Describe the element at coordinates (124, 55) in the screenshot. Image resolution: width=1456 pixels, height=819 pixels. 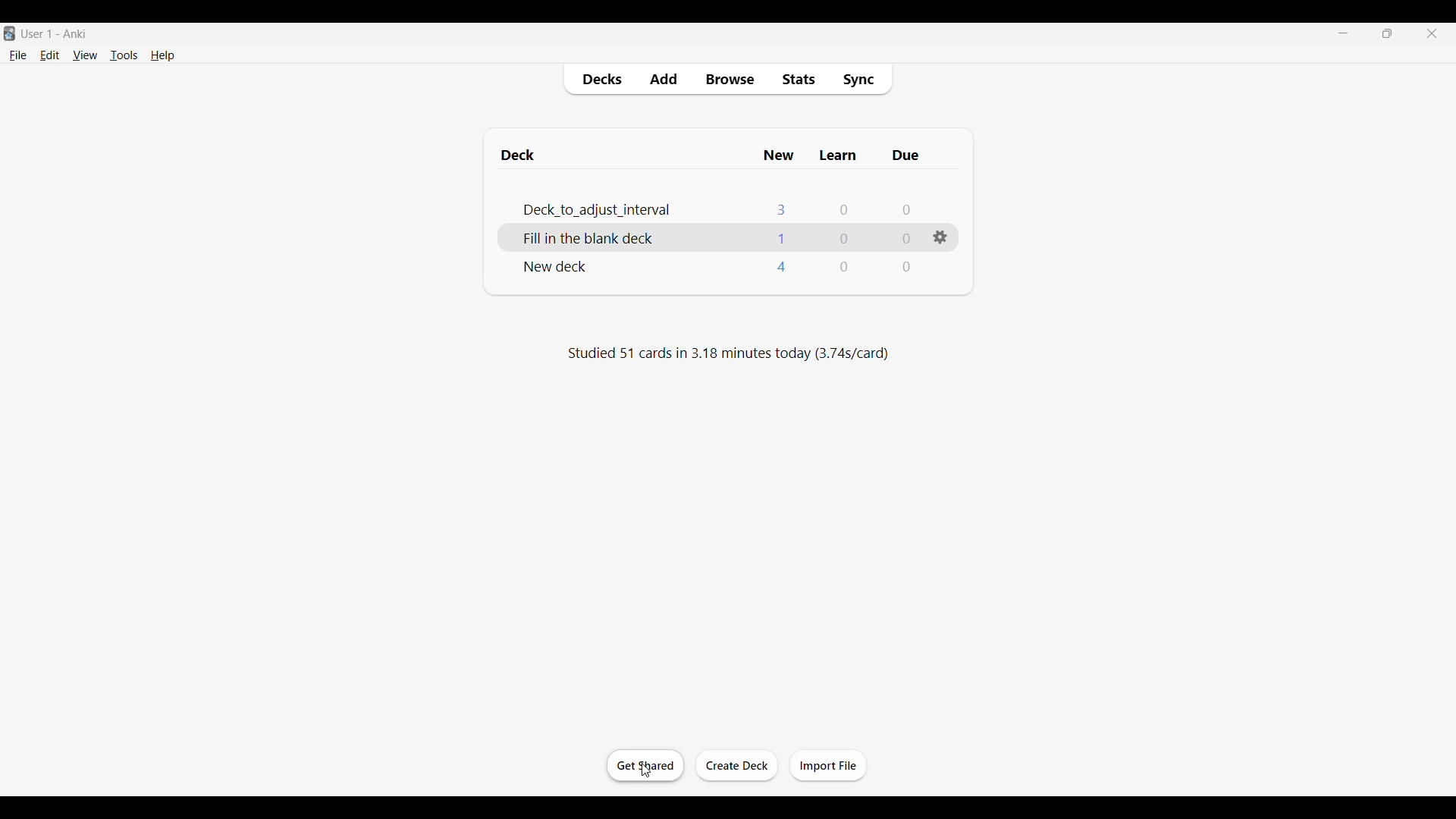
I see `Tools menu` at that location.